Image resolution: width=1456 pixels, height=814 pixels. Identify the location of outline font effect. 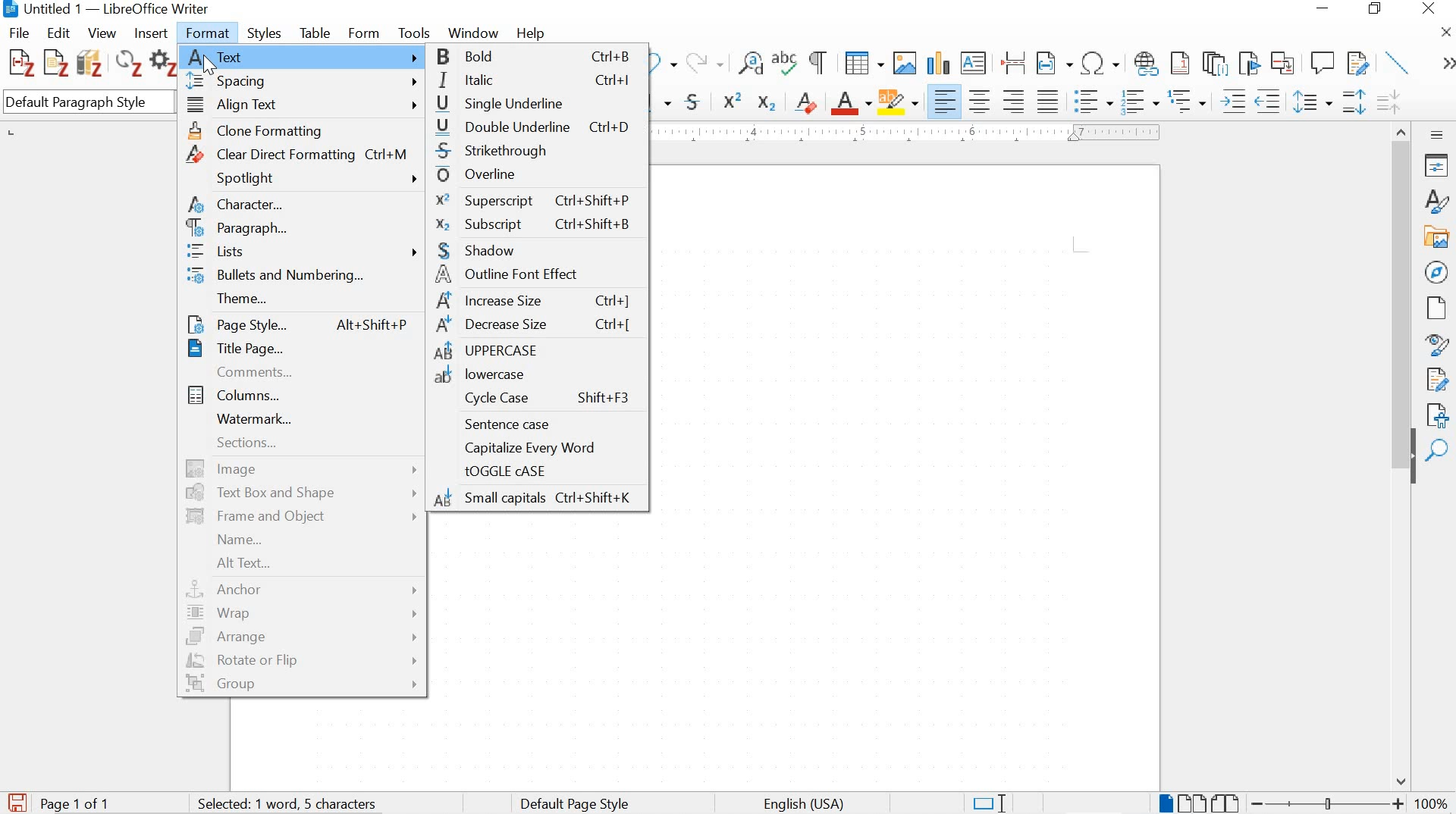
(535, 275).